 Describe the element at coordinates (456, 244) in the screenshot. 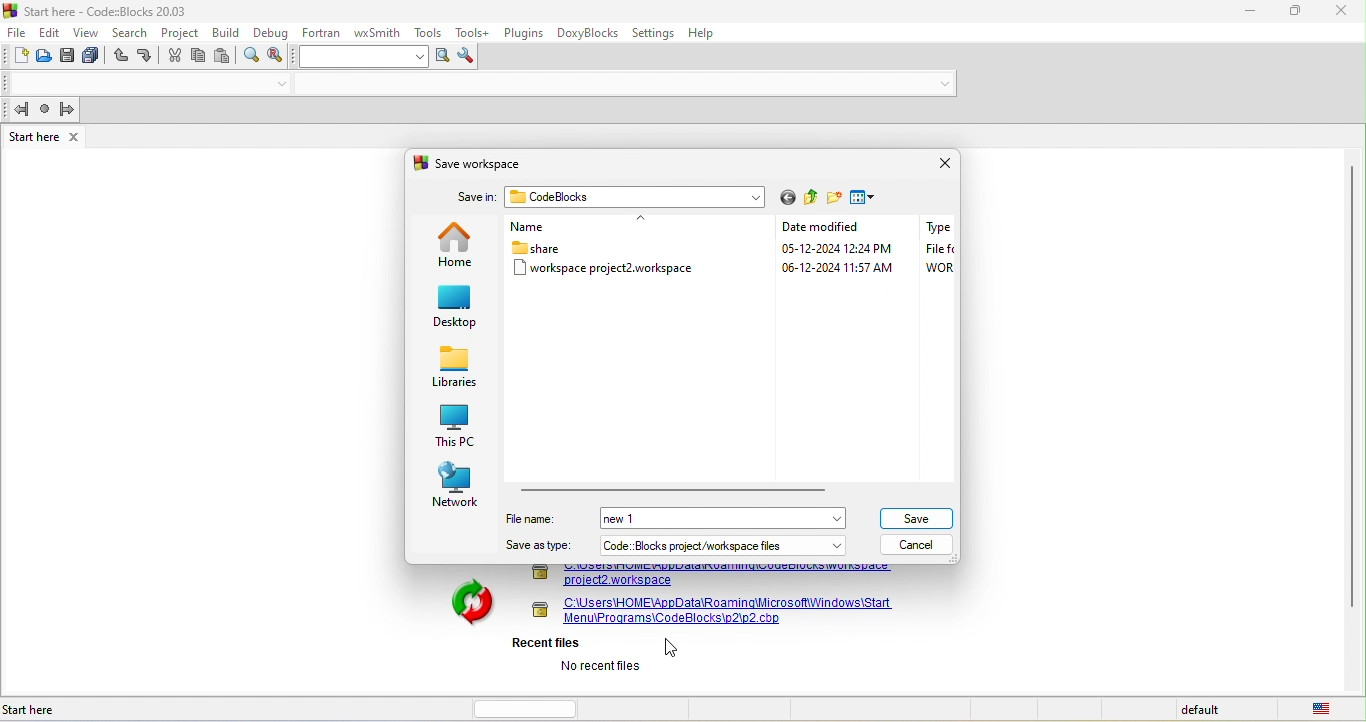

I see `home` at that location.